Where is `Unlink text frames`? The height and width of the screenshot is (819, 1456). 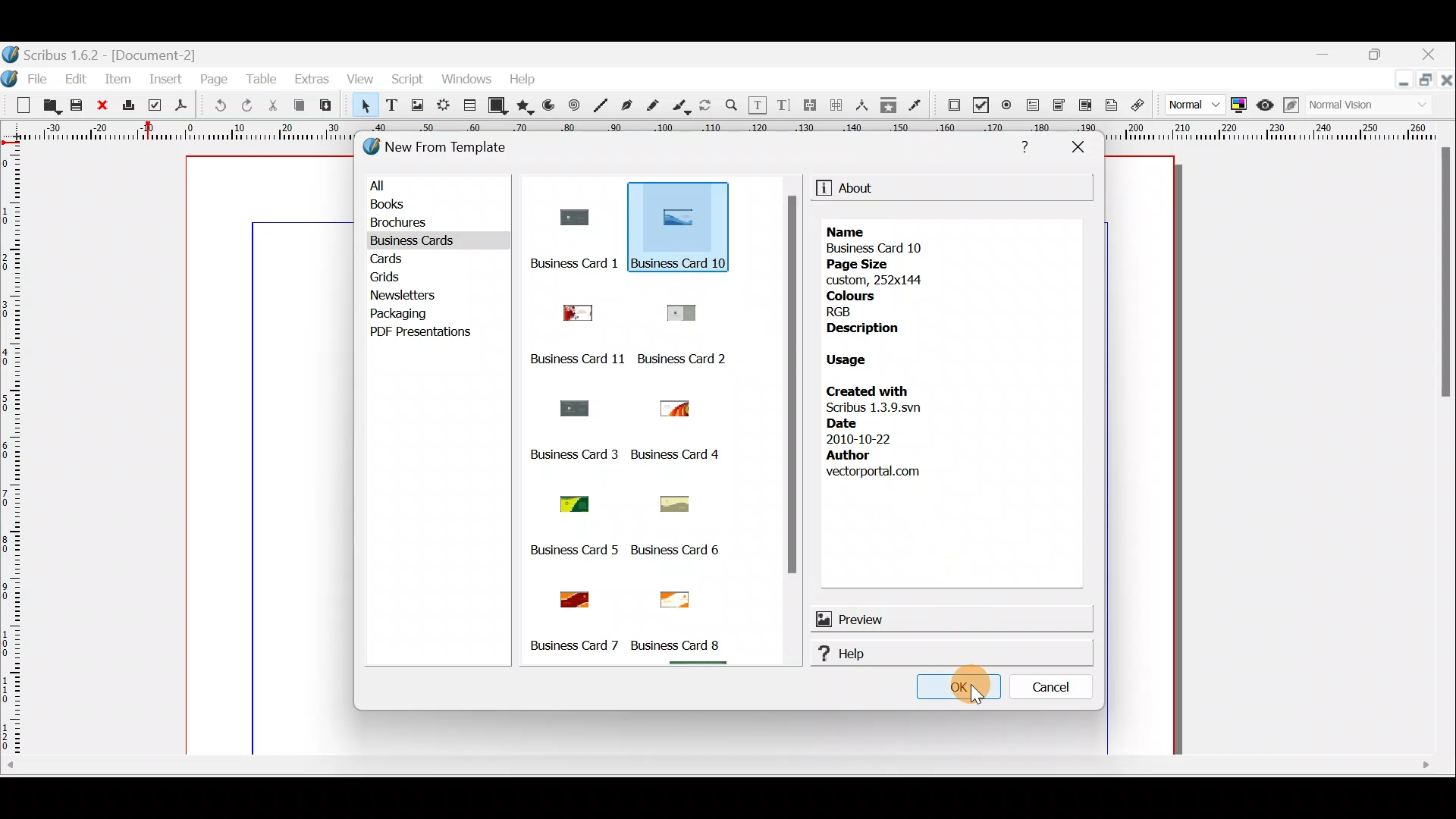 Unlink text frames is located at coordinates (836, 105).